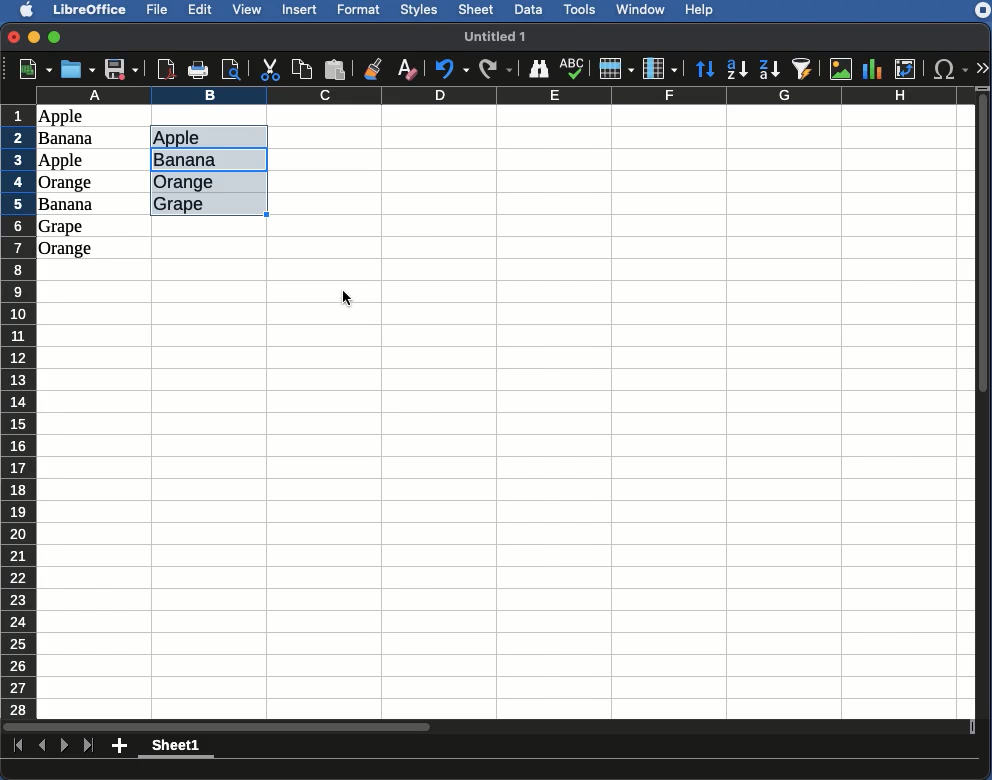  What do you see at coordinates (573, 69) in the screenshot?
I see `Spell check` at bounding box center [573, 69].